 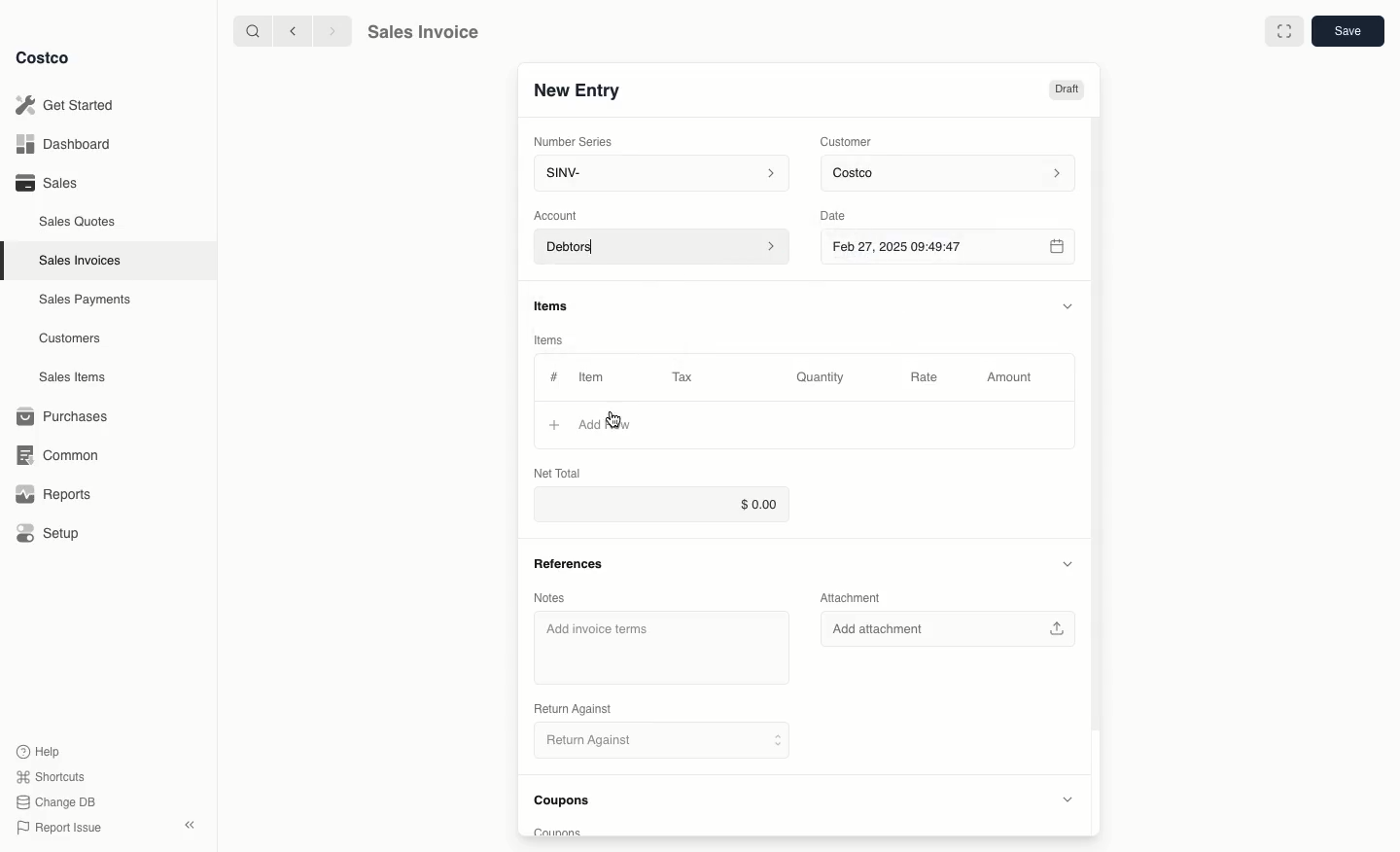 I want to click on cursor, so click(x=617, y=416).